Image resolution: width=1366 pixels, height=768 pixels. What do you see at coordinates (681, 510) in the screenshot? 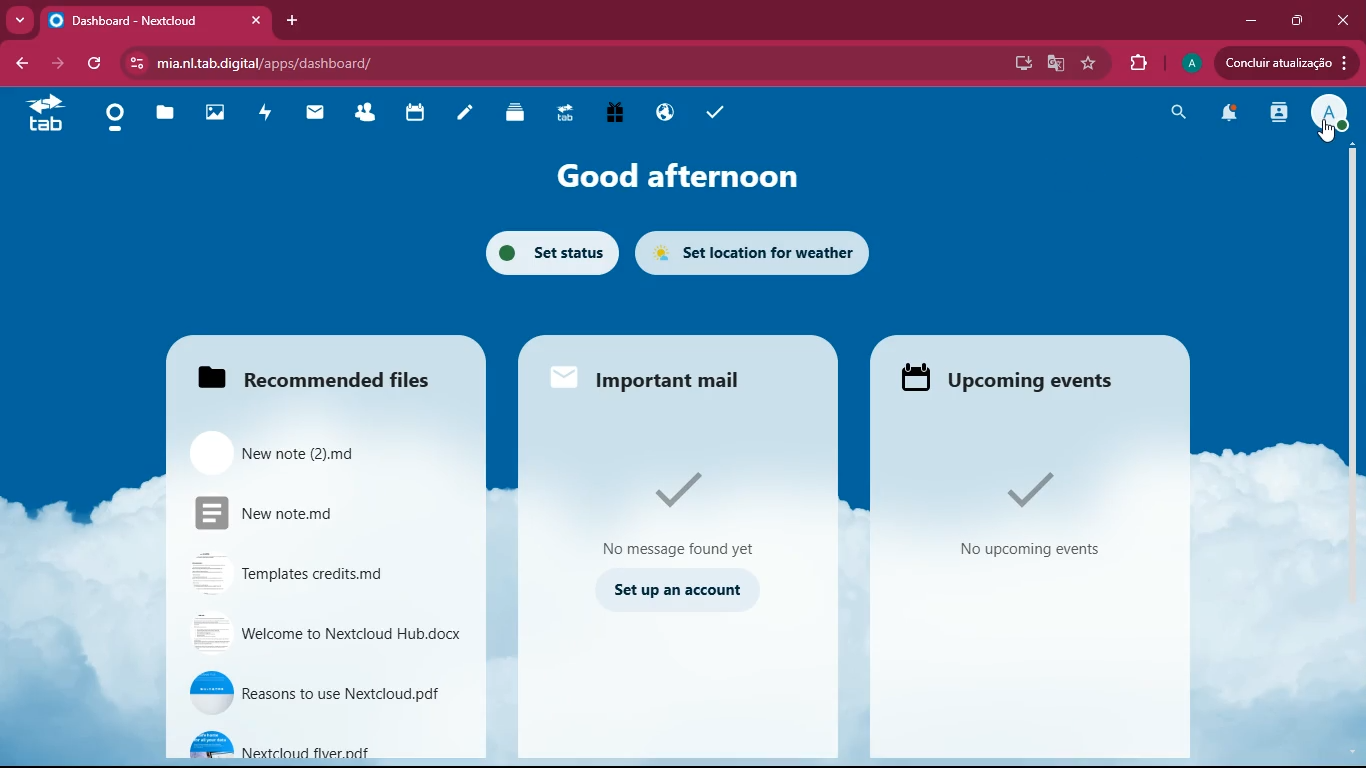
I see `No message found yet` at bounding box center [681, 510].